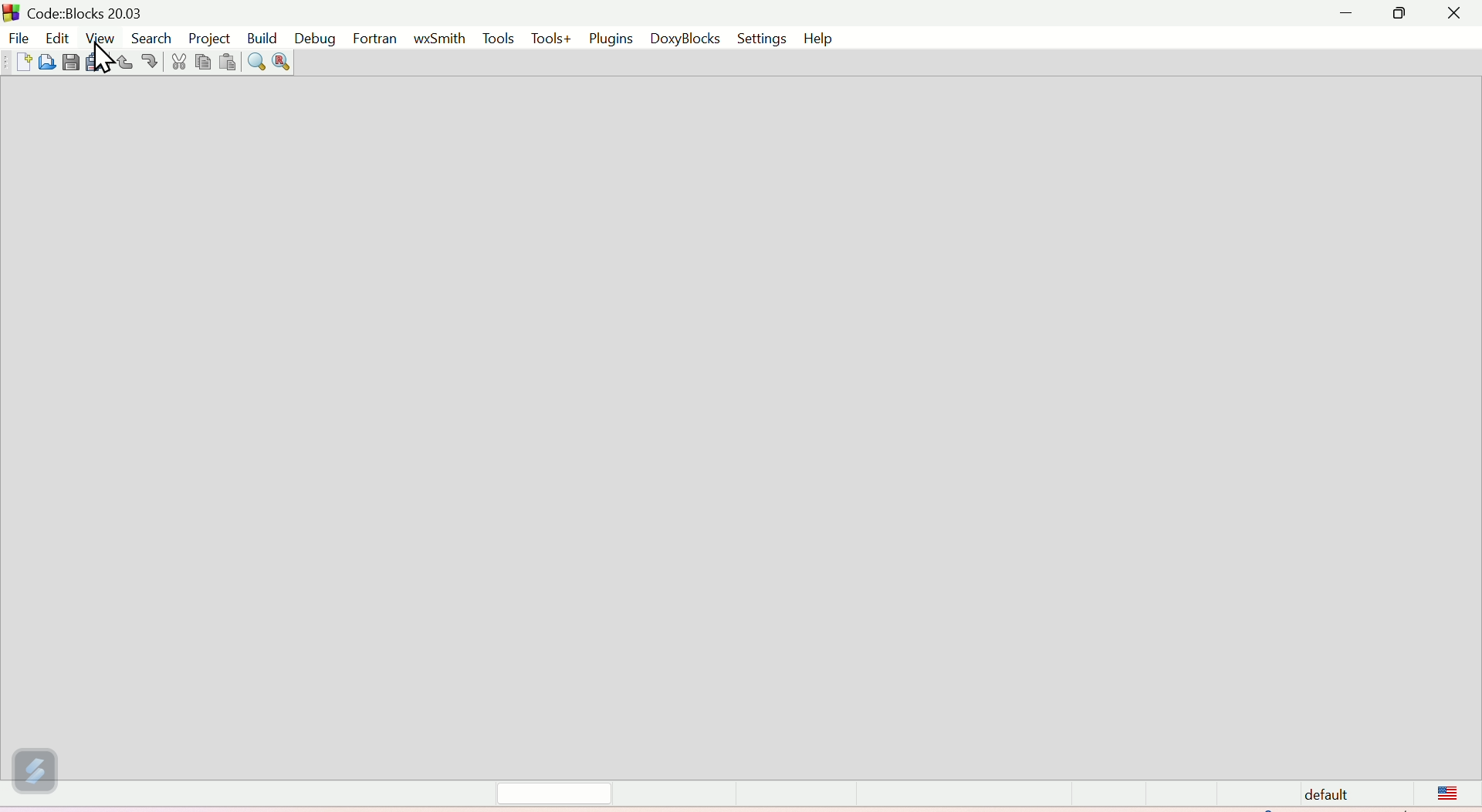 This screenshot has width=1482, height=812. What do you see at coordinates (679, 792) in the screenshot?
I see `Status bar` at bounding box center [679, 792].